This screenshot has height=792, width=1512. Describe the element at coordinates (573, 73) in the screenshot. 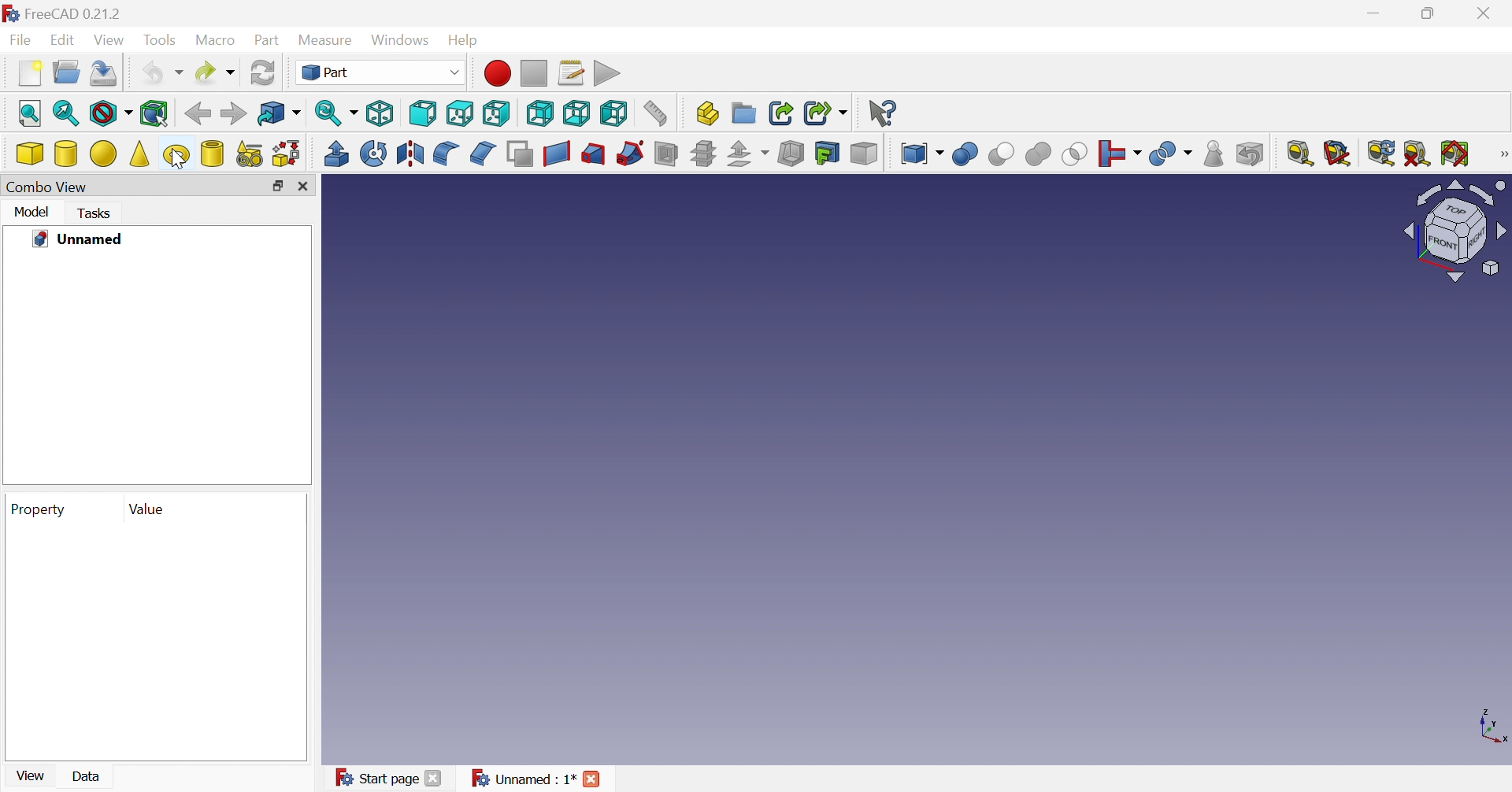

I see `Macros` at that location.